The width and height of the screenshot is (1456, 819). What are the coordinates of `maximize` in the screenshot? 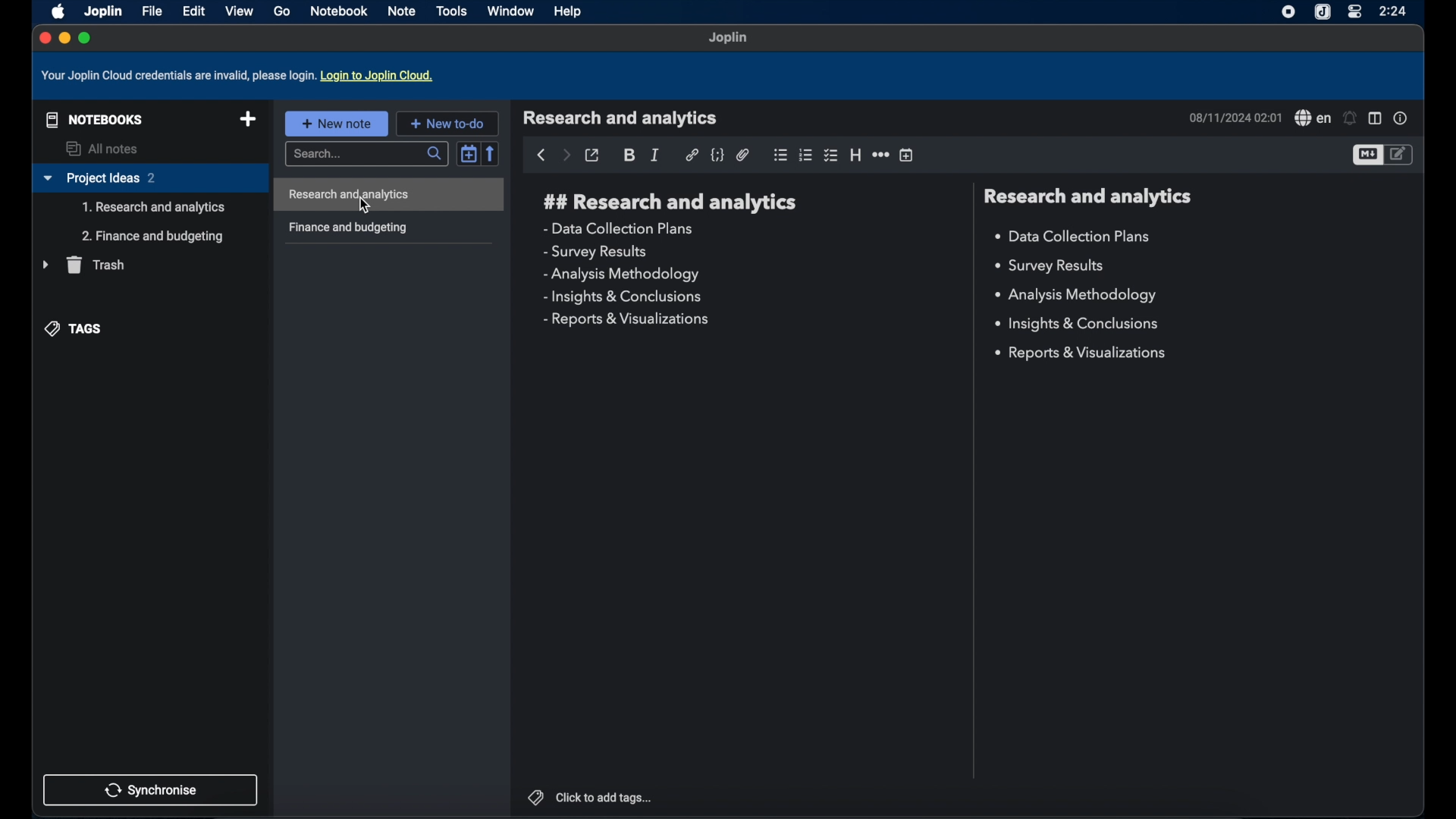 It's located at (86, 38).